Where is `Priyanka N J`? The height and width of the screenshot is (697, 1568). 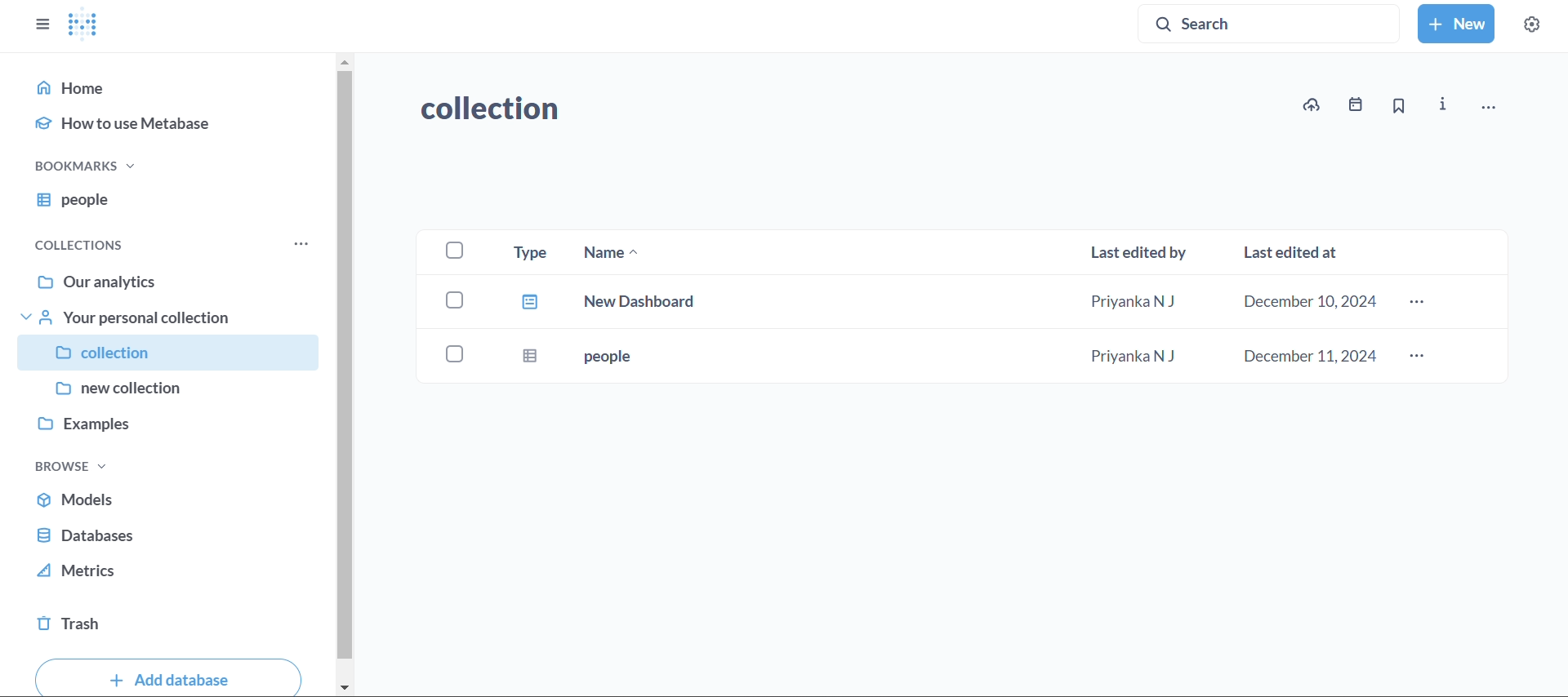 Priyanka N J is located at coordinates (1137, 357).